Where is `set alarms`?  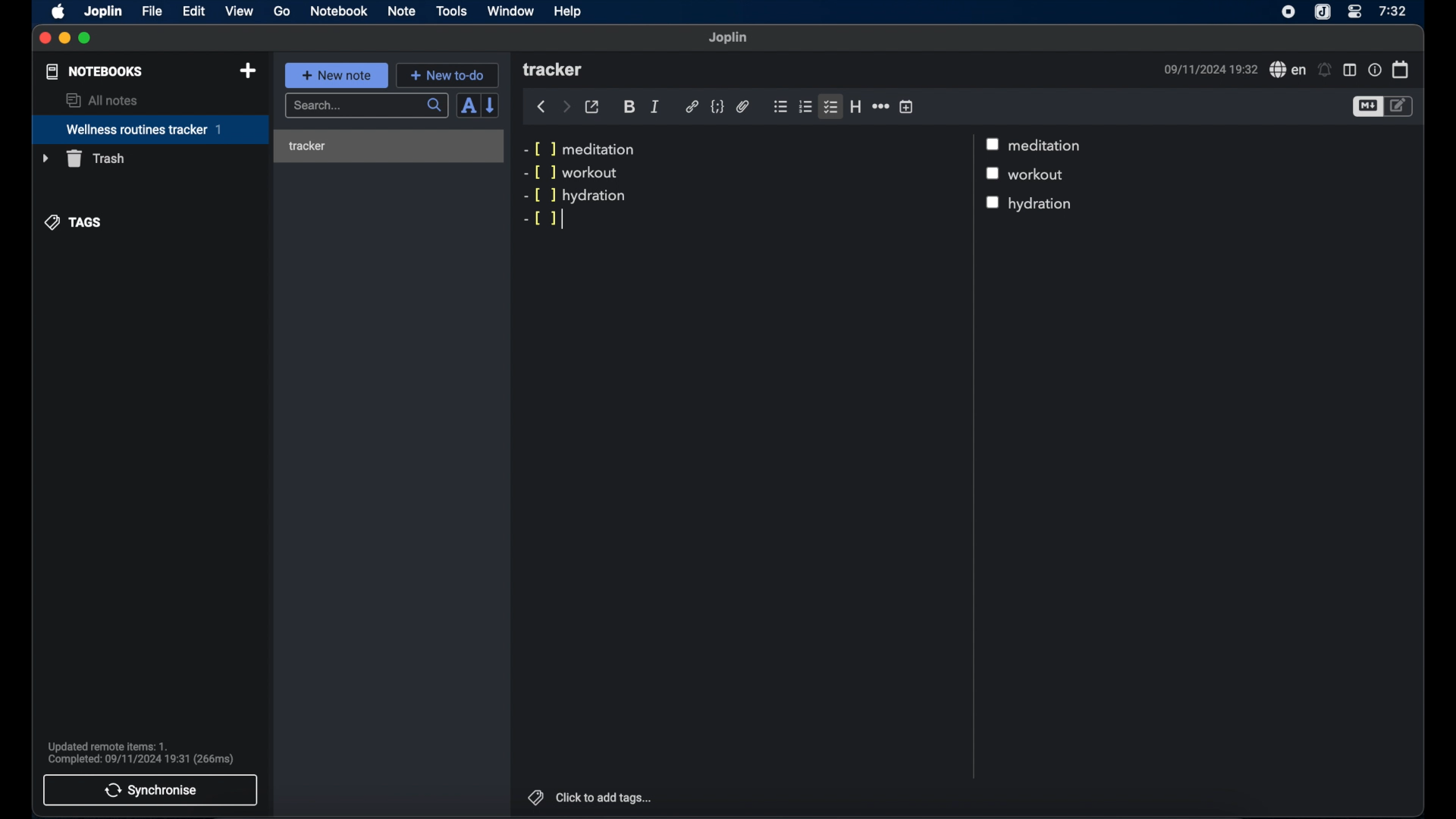
set alarms is located at coordinates (1325, 70).